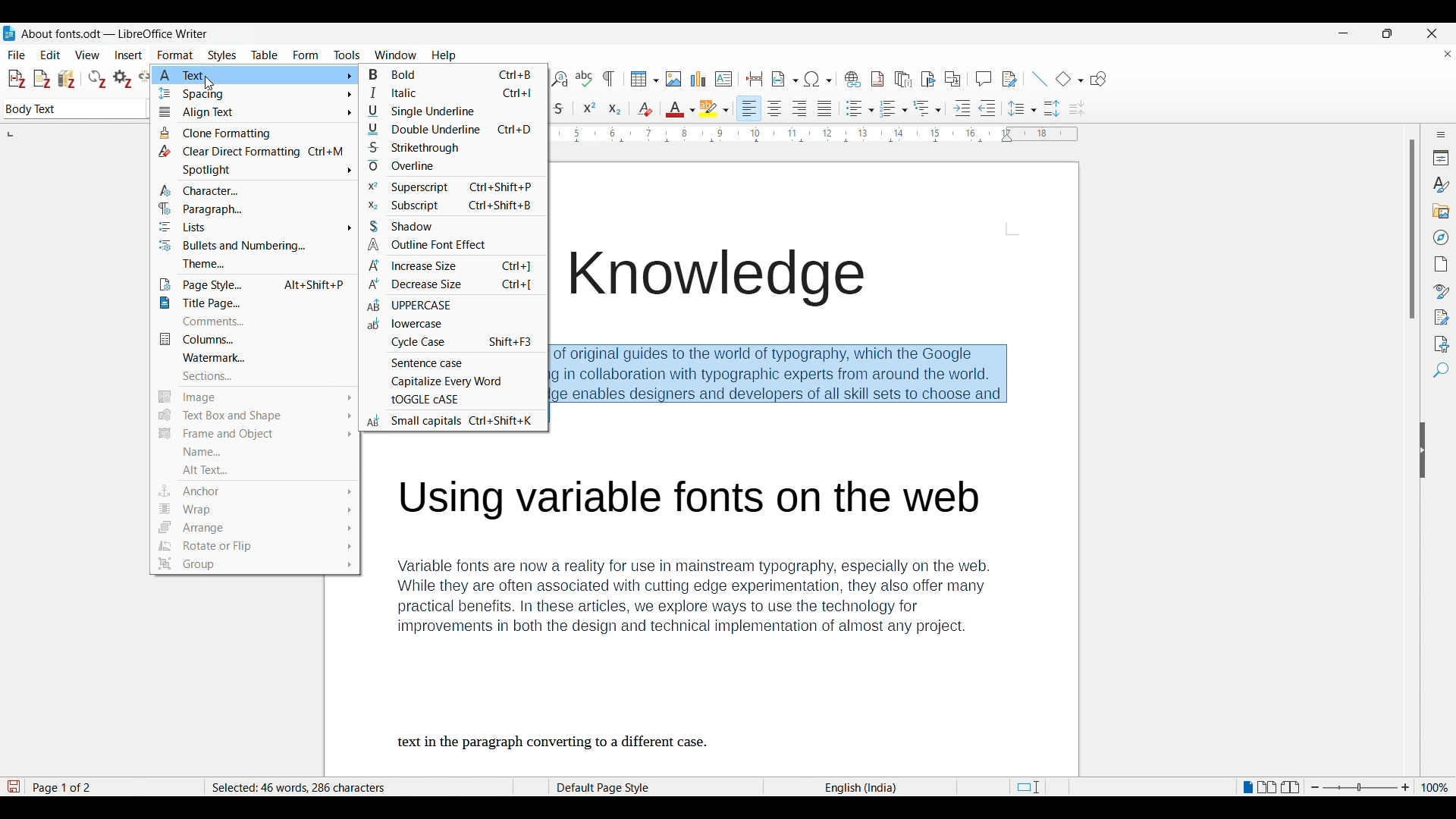 This screenshot has height=819, width=1456. I want to click on Decrease paragraph spacing, so click(1078, 109).